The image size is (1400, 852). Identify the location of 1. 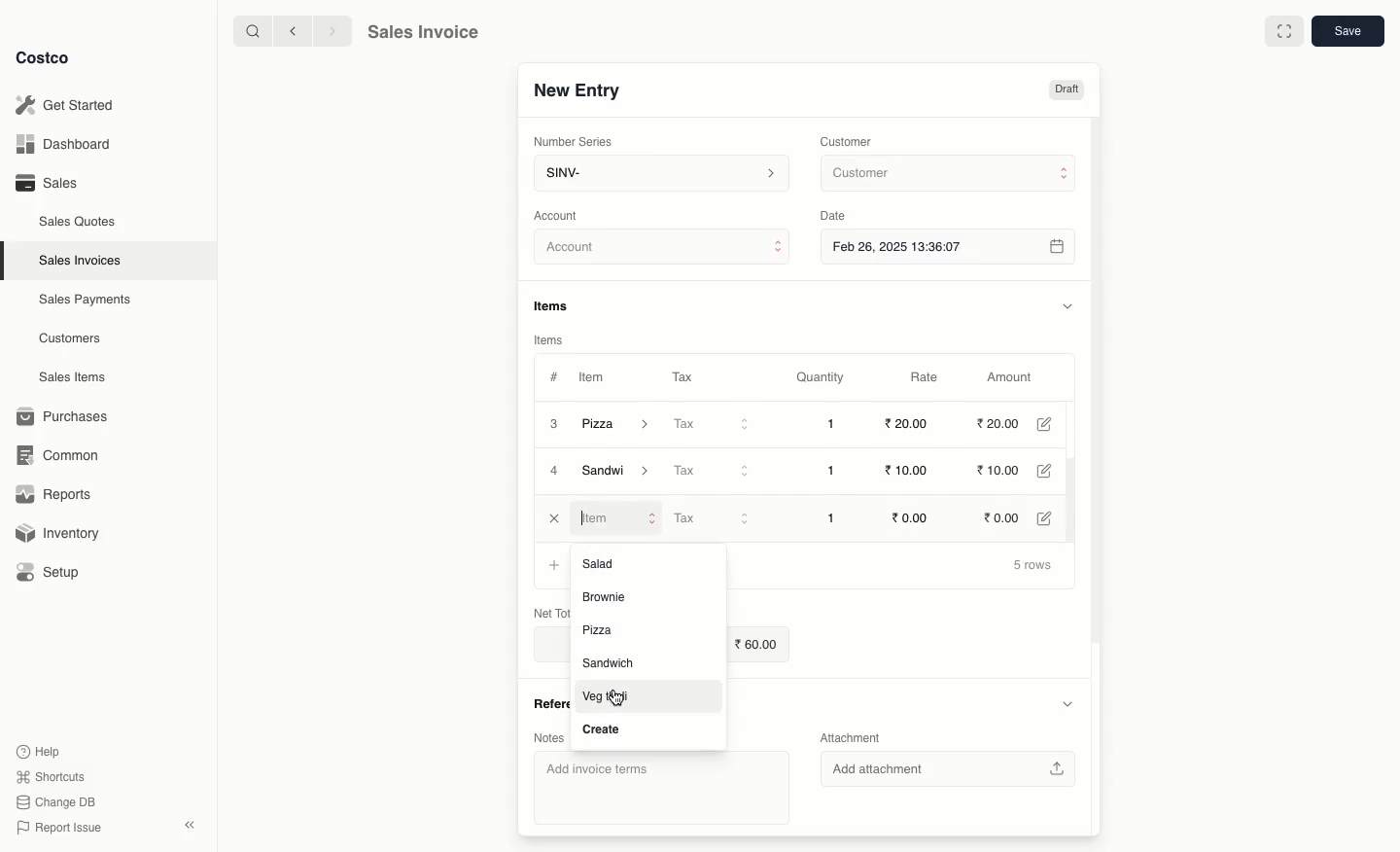
(836, 471).